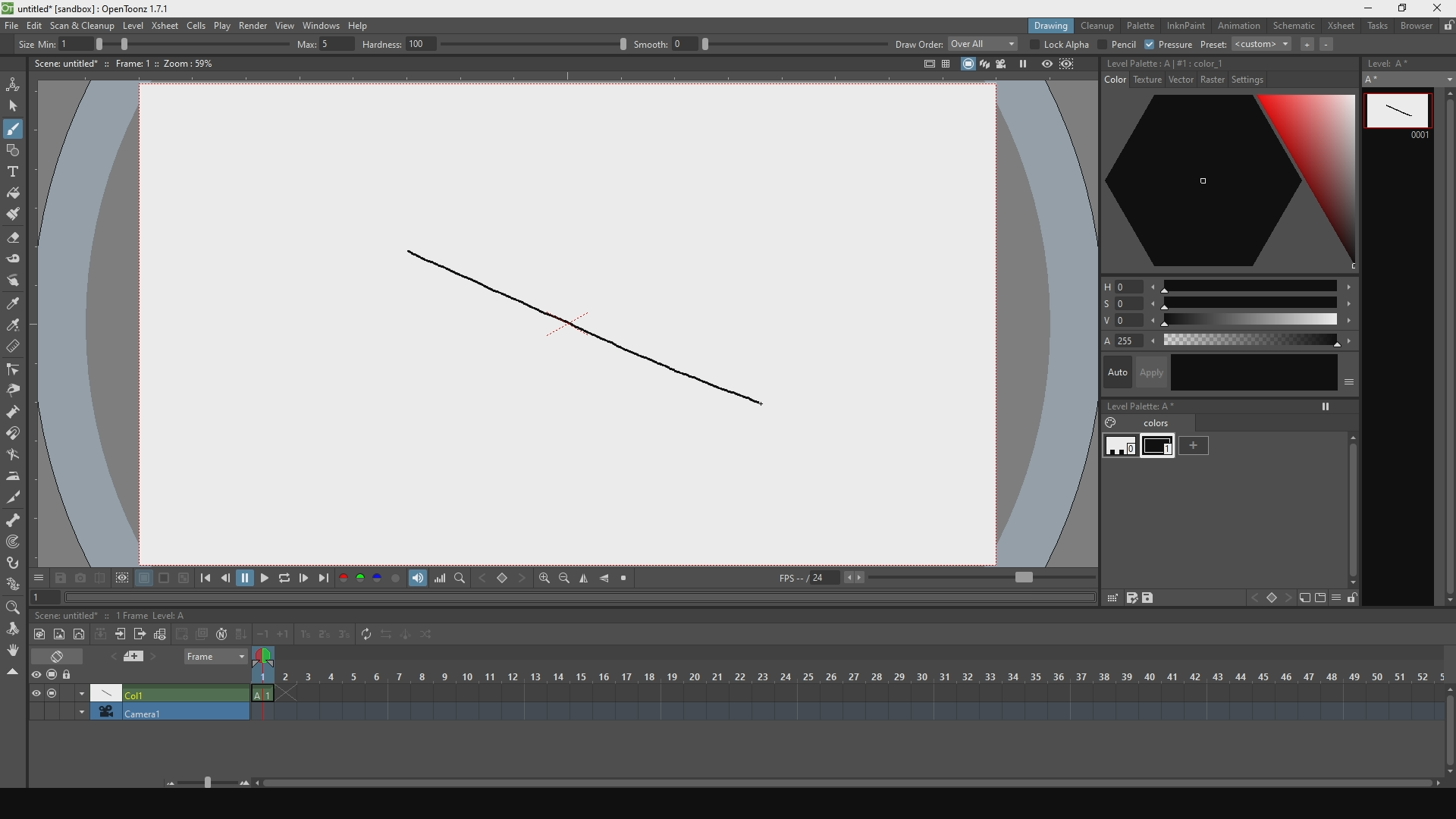 The height and width of the screenshot is (819, 1456). Describe the element at coordinates (1296, 27) in the screenshot. I see `schematic` at that location.